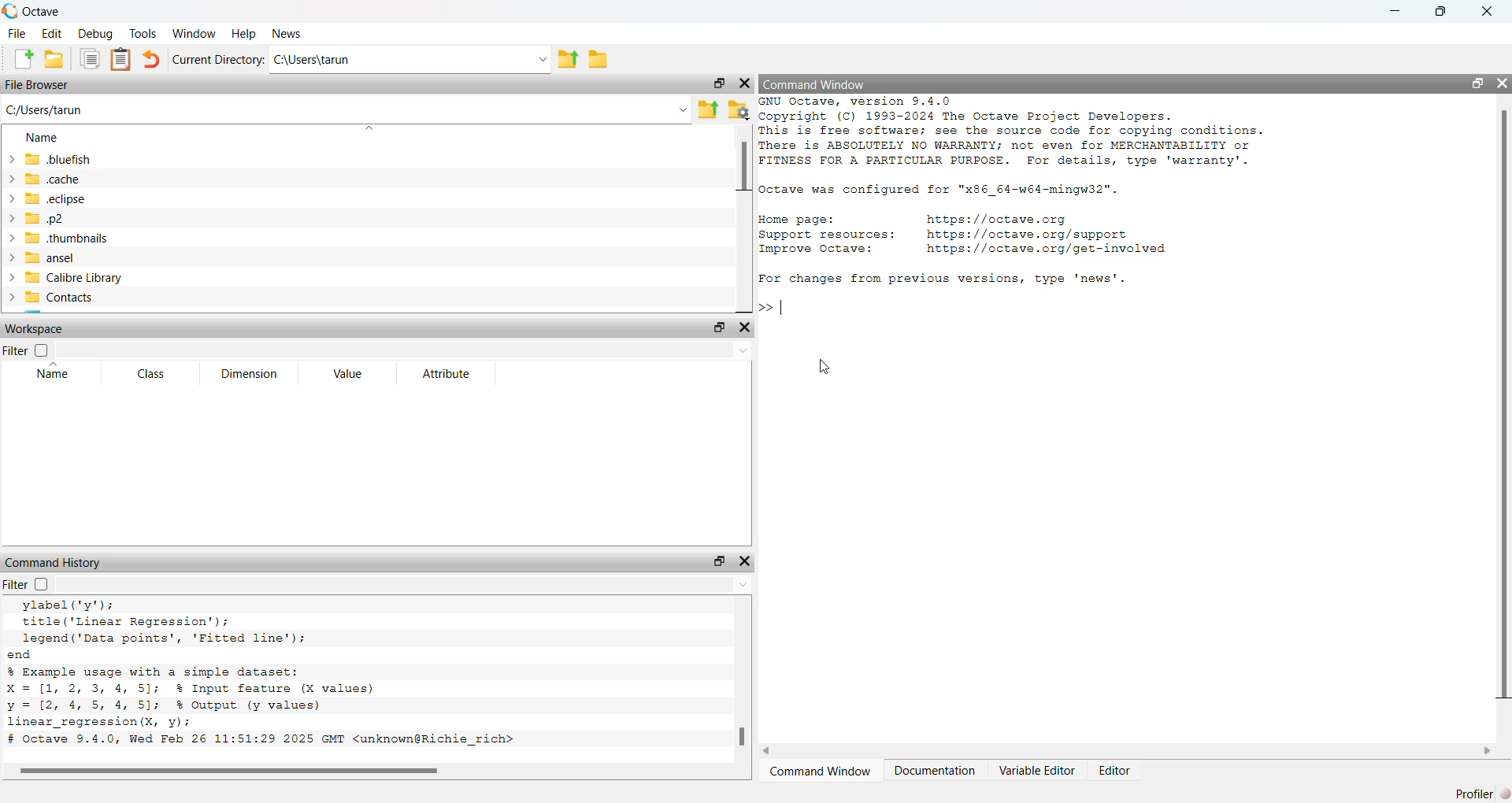 The width and height of the screenshot is (1512, 803). Describe the element at coordinates (969, 234) in the screenshot. I see `details of resources of octave` at that location.